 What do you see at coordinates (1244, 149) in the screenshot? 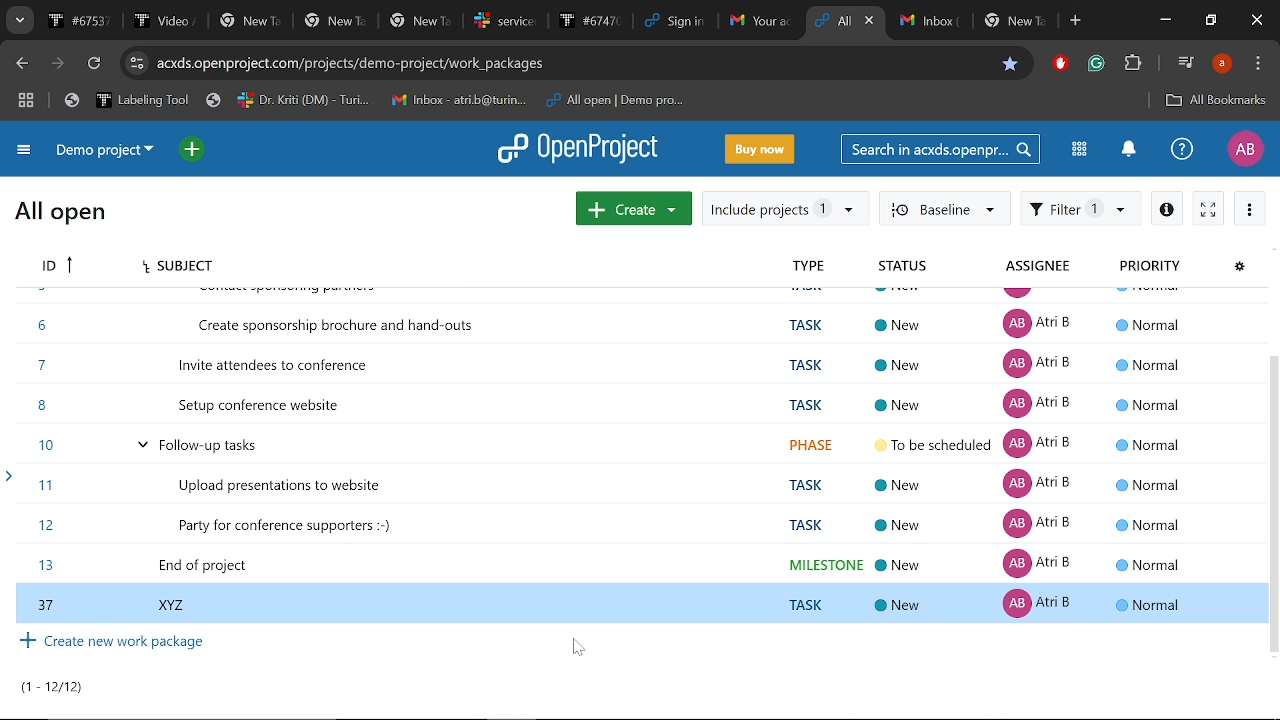
I see `Profile` at bounding box center [1244, 149].